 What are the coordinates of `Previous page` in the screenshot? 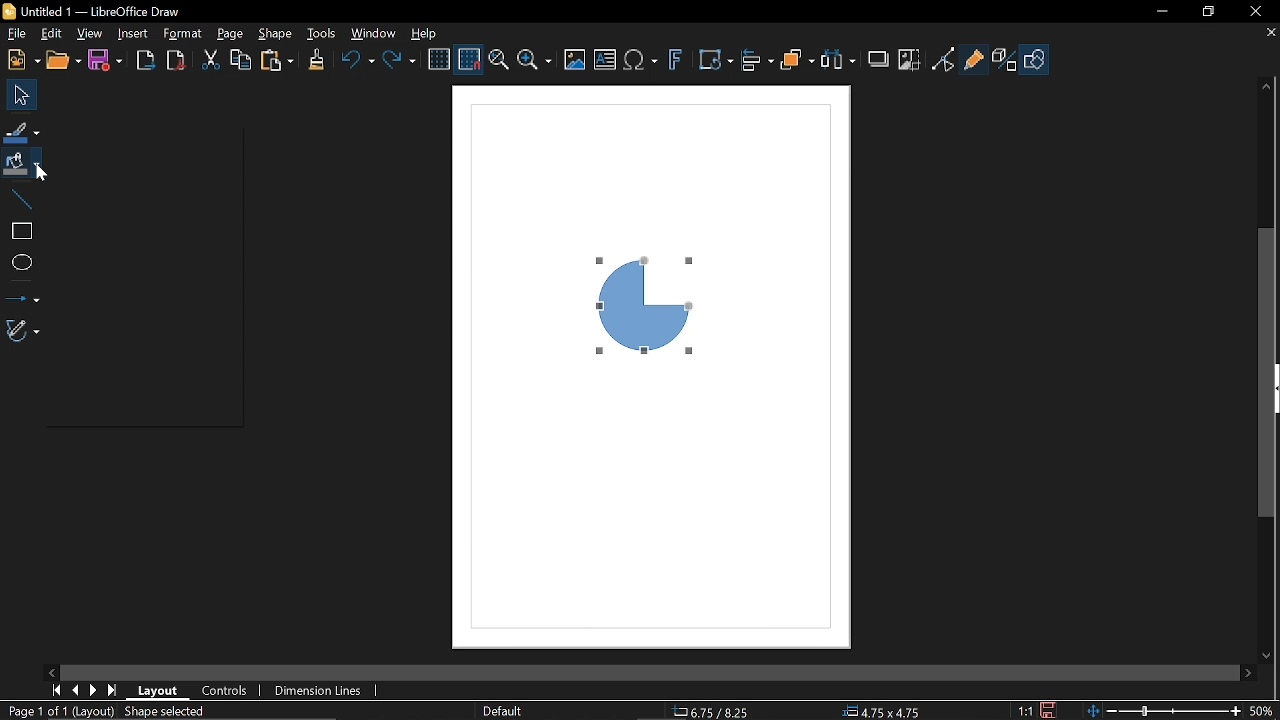 It's located at (78, 688).